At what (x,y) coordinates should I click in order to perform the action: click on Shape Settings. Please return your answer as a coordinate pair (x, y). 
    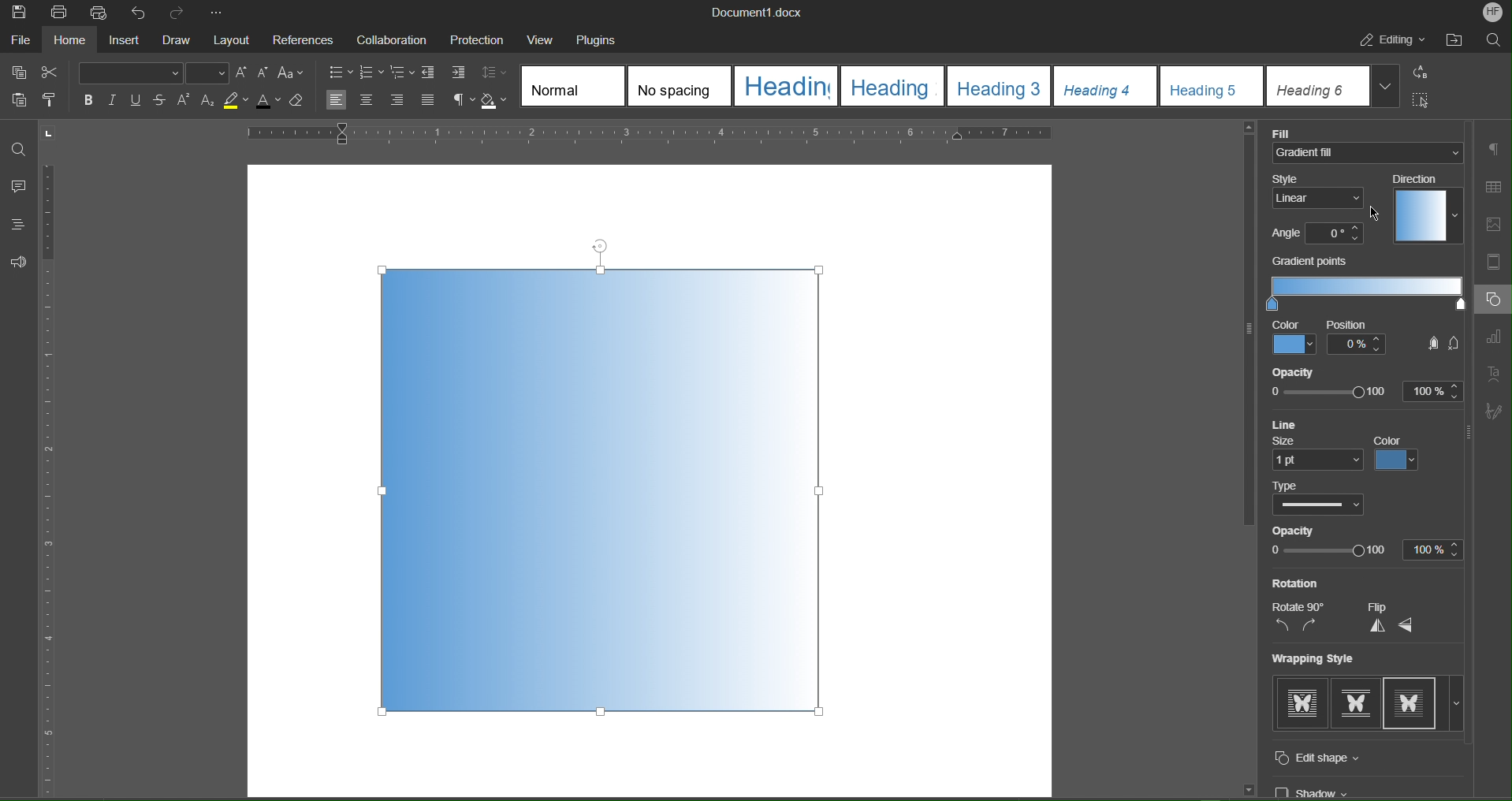
    Looking at the image, I should click on (1492, 300).